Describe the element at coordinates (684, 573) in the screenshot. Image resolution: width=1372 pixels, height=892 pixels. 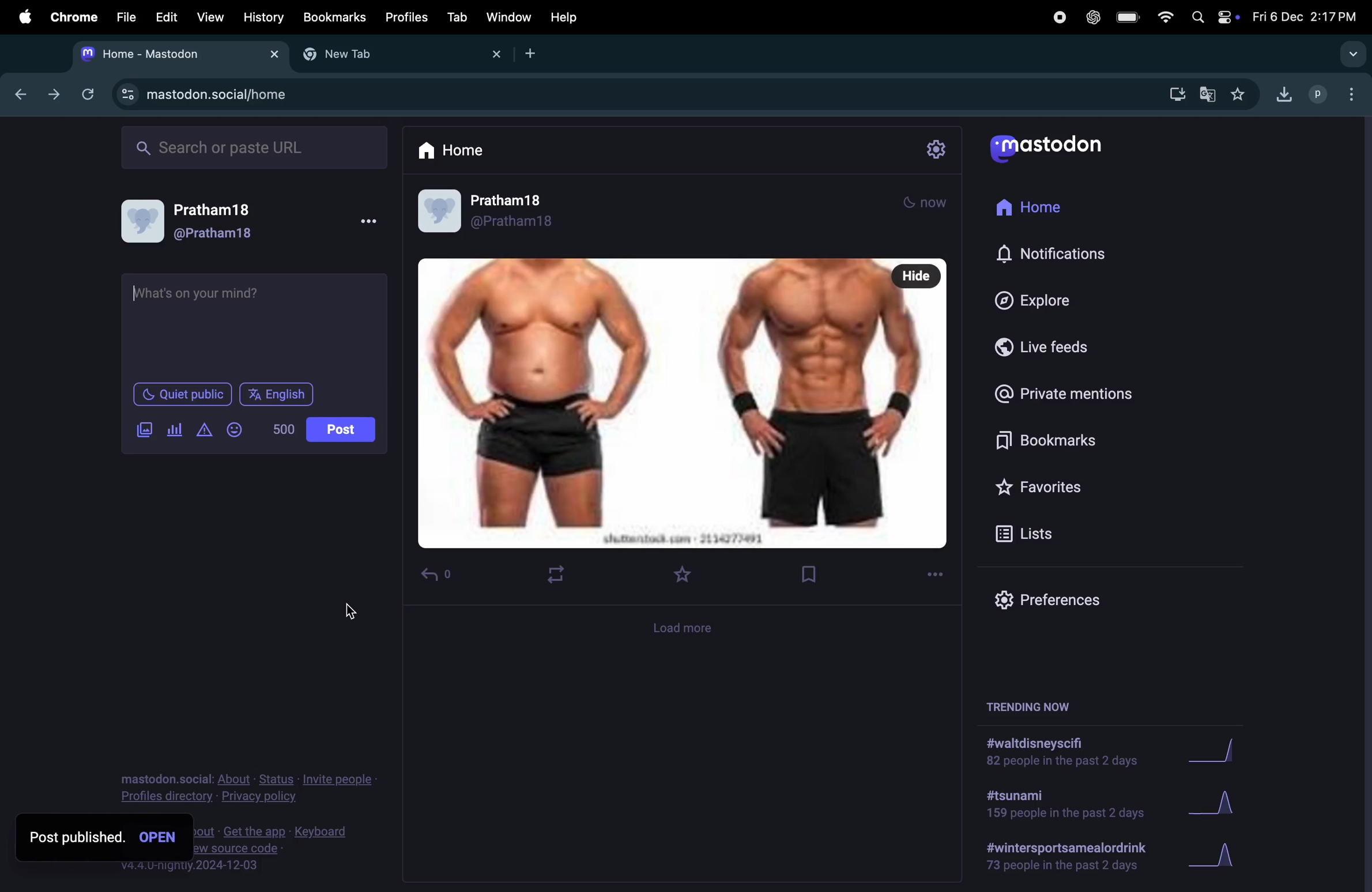
I see `favourites` at that location.